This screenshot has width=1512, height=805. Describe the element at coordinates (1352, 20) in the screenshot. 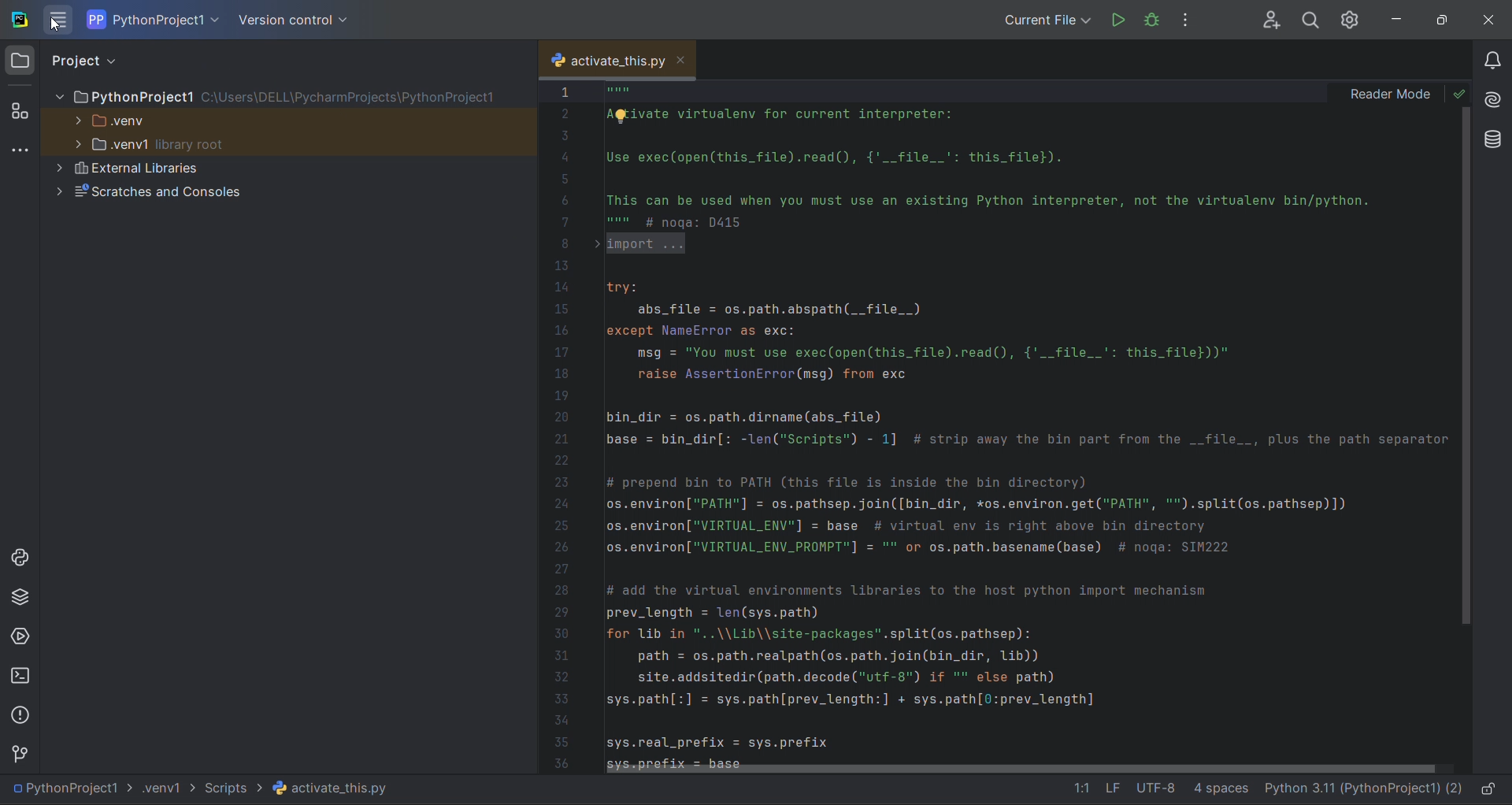

I see `settings` at that location.